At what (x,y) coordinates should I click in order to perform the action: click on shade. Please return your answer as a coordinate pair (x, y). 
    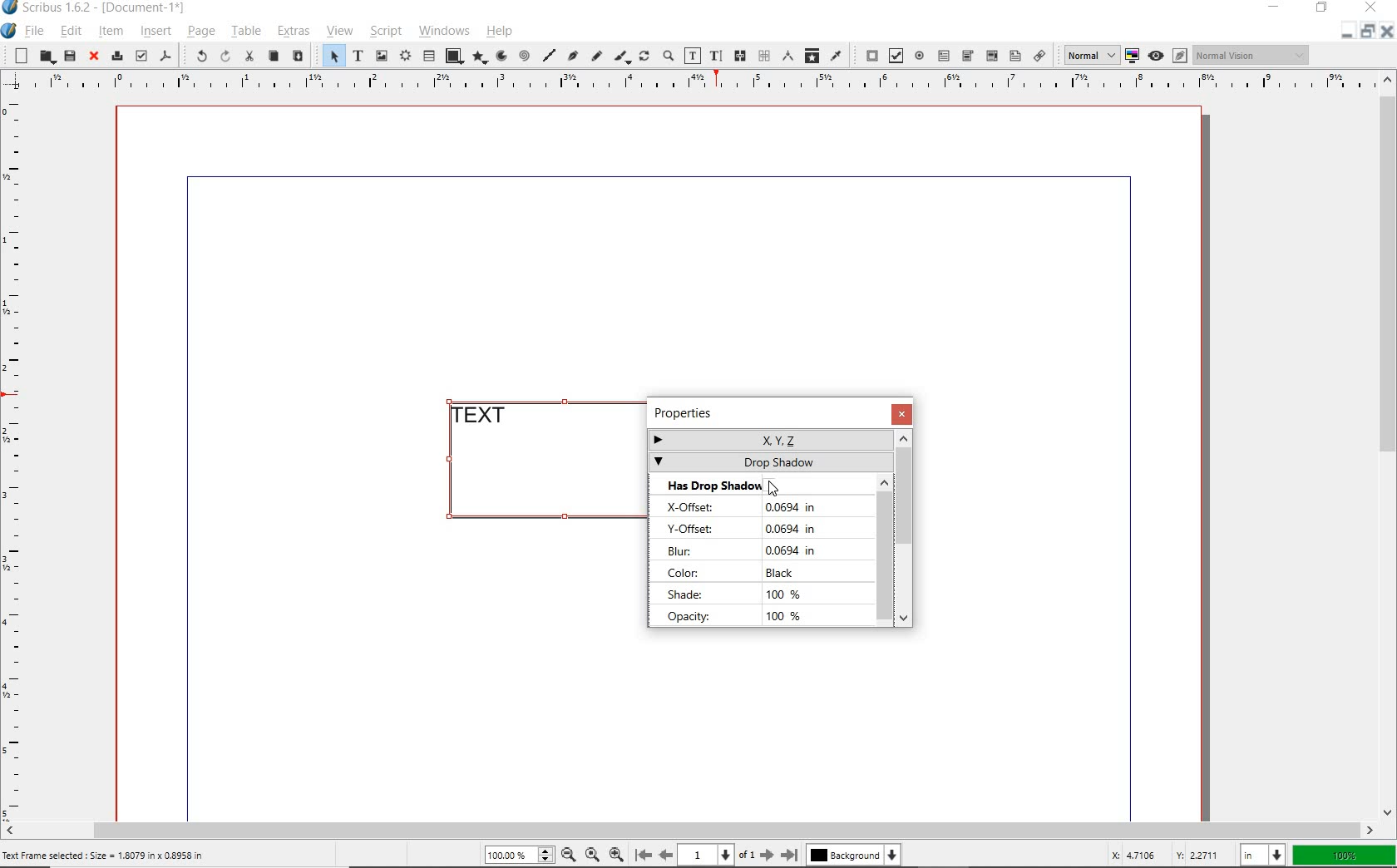
    Looking at the image, I should click on (737, 594).